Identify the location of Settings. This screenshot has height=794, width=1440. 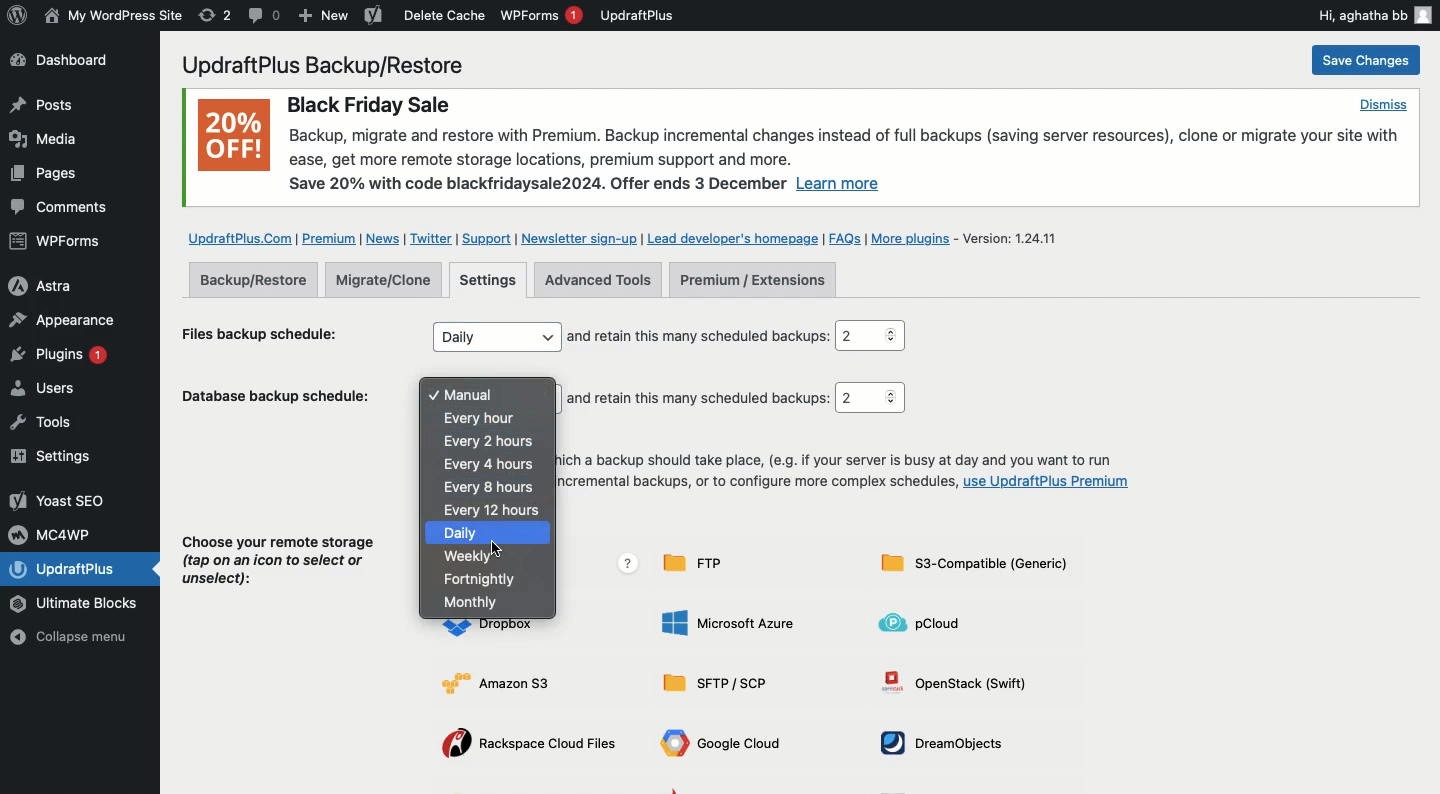
(490, 281).